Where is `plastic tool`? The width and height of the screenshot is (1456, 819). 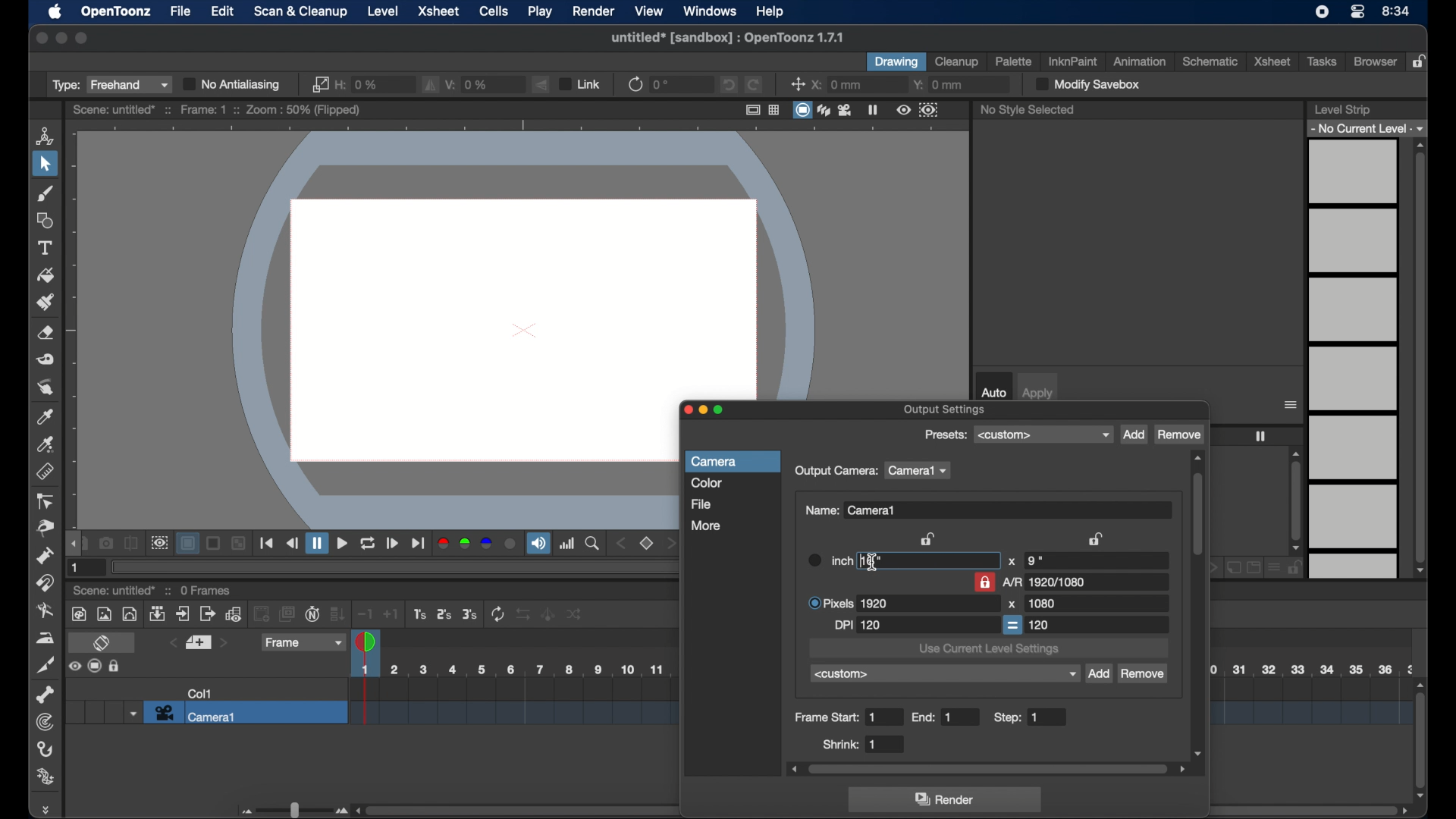 plastic tool is located at coordinates (46, 777).